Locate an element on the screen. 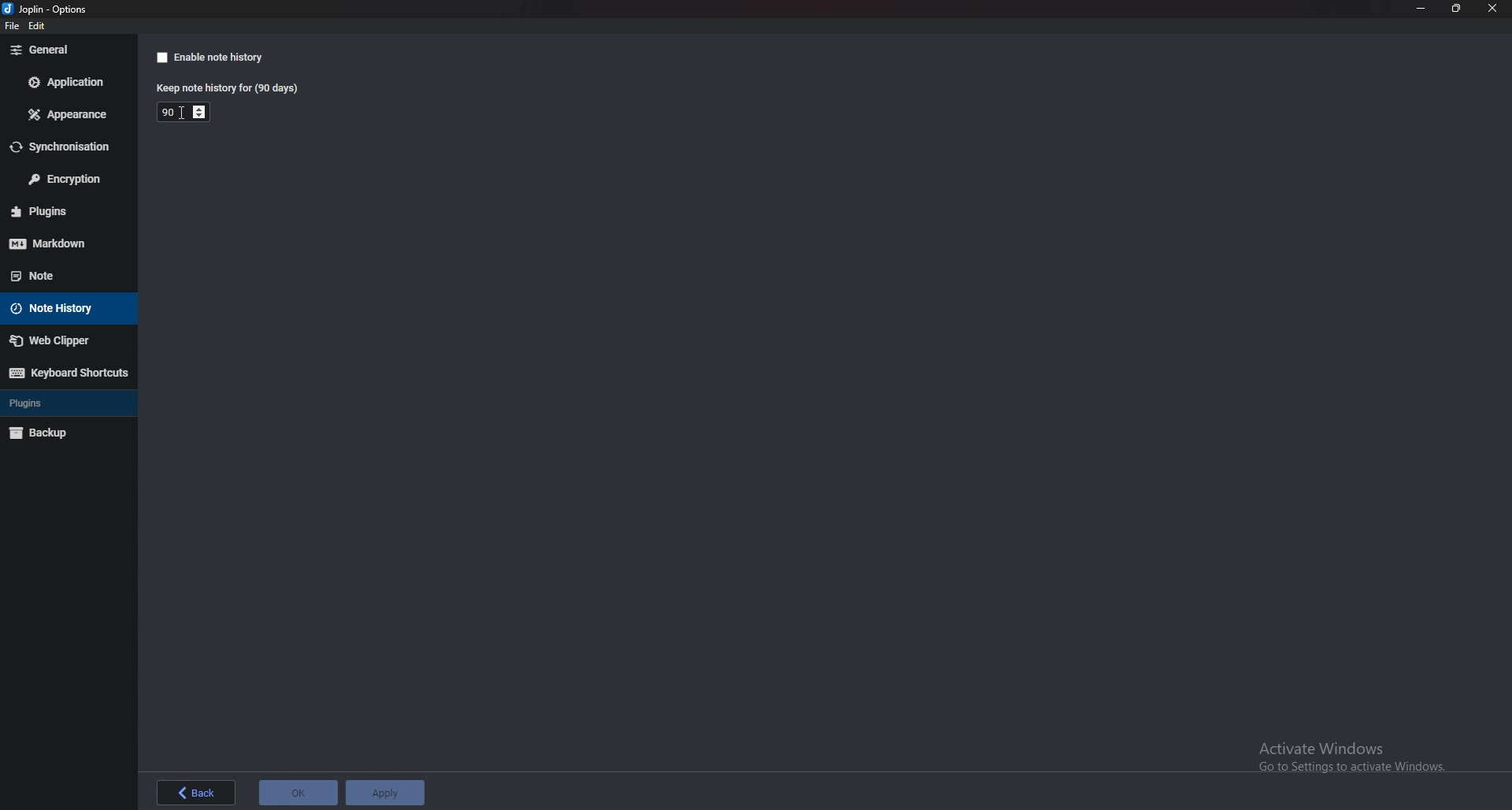 The image size is (1512, 810). back is located at coordinates (196, 793).